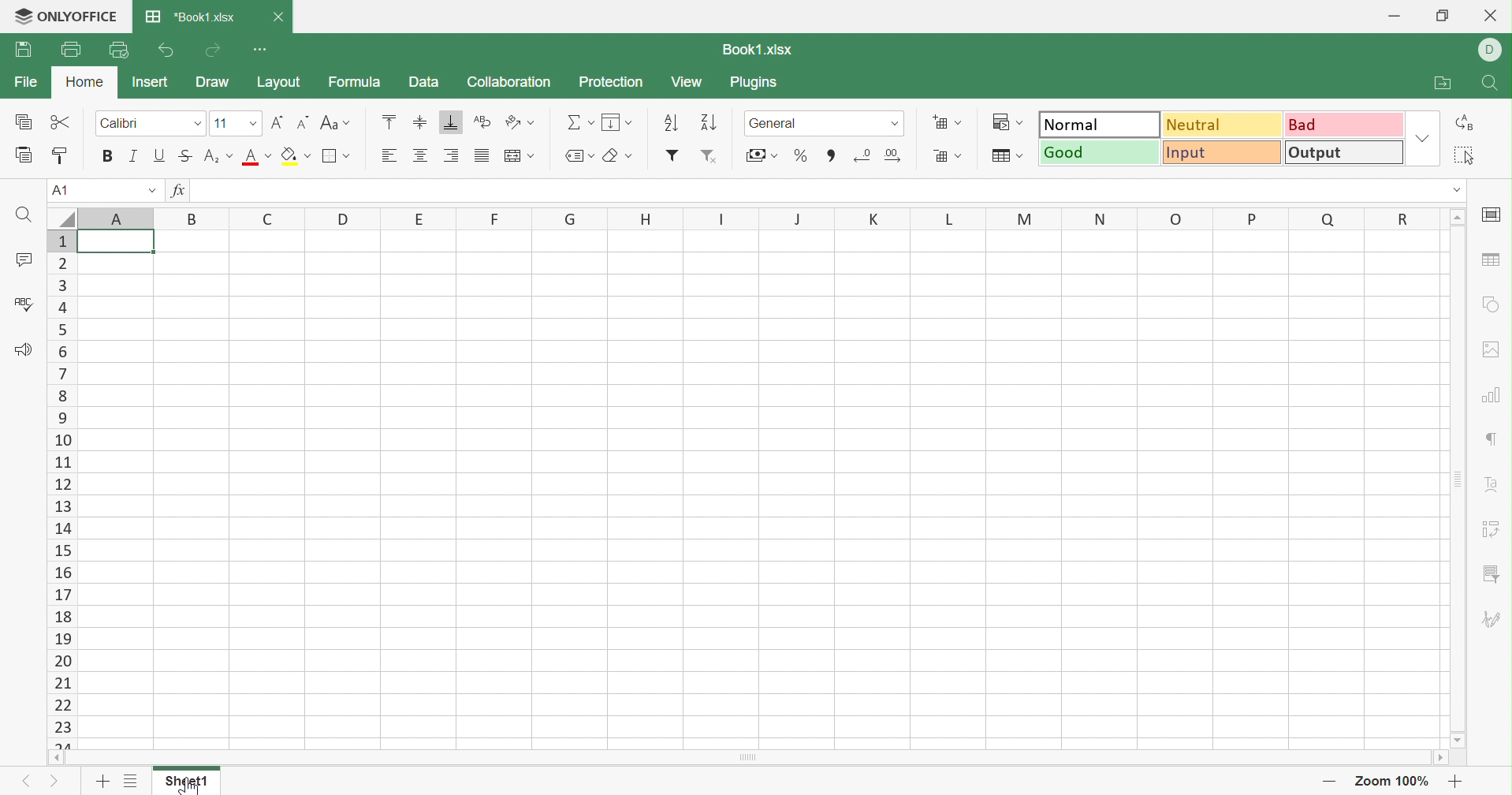 The width and height of the screenshot is (1512, 795). What do you see at coordinates (303, 121) in the screenshot?
I see `Decrement font size` at bounding box center [303, 121].